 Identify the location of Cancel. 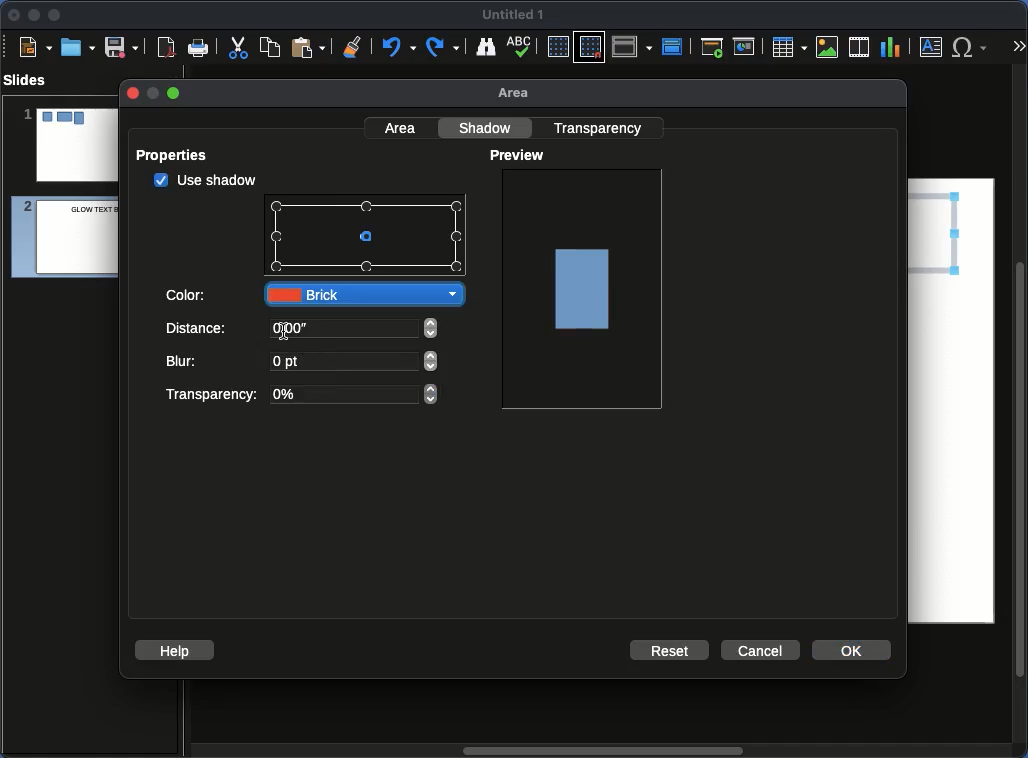
(759, 651).